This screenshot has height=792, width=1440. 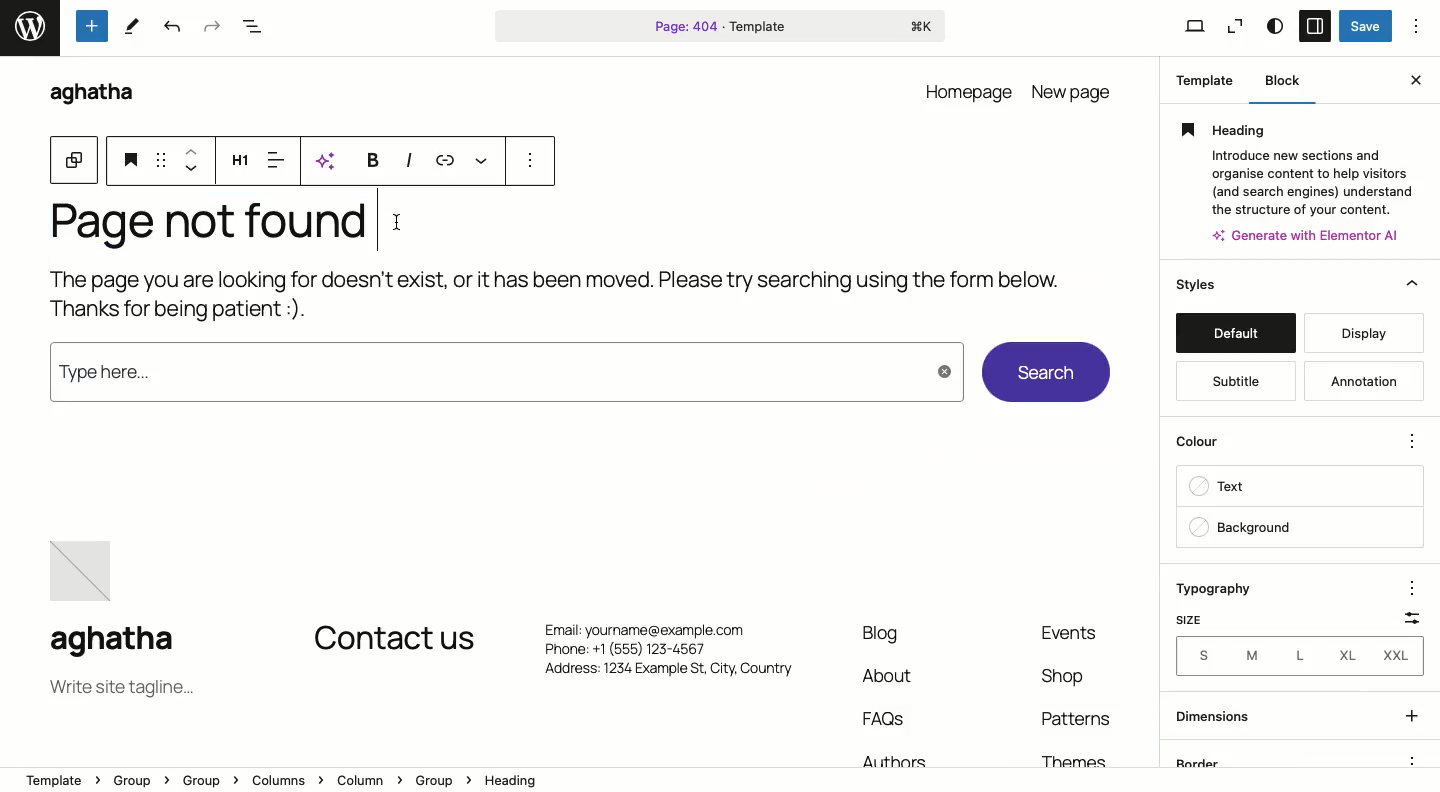 I want to click on Contact us, so click(x=394, y=640).